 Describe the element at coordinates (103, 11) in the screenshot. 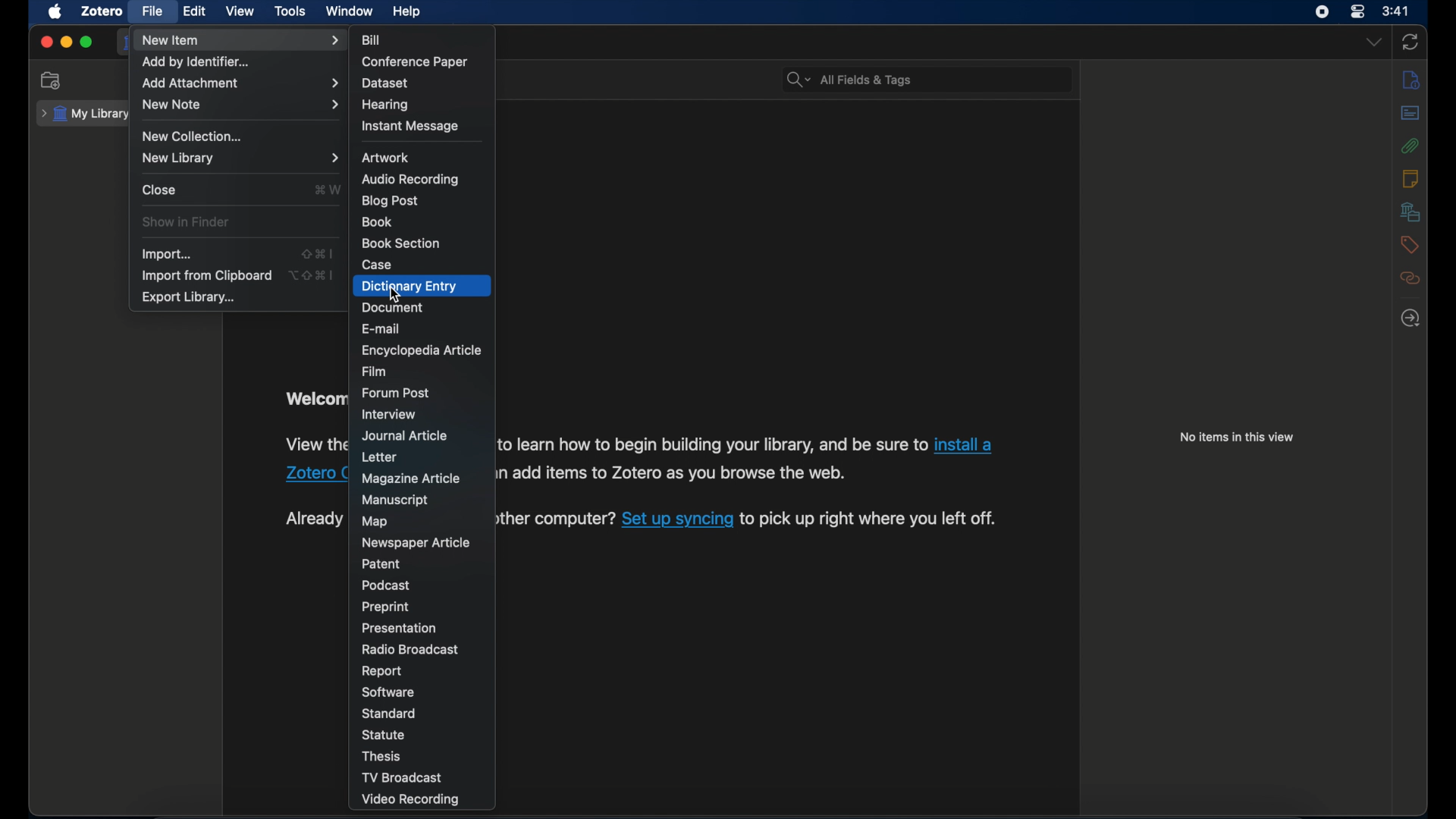

I see `zotero` at that location.